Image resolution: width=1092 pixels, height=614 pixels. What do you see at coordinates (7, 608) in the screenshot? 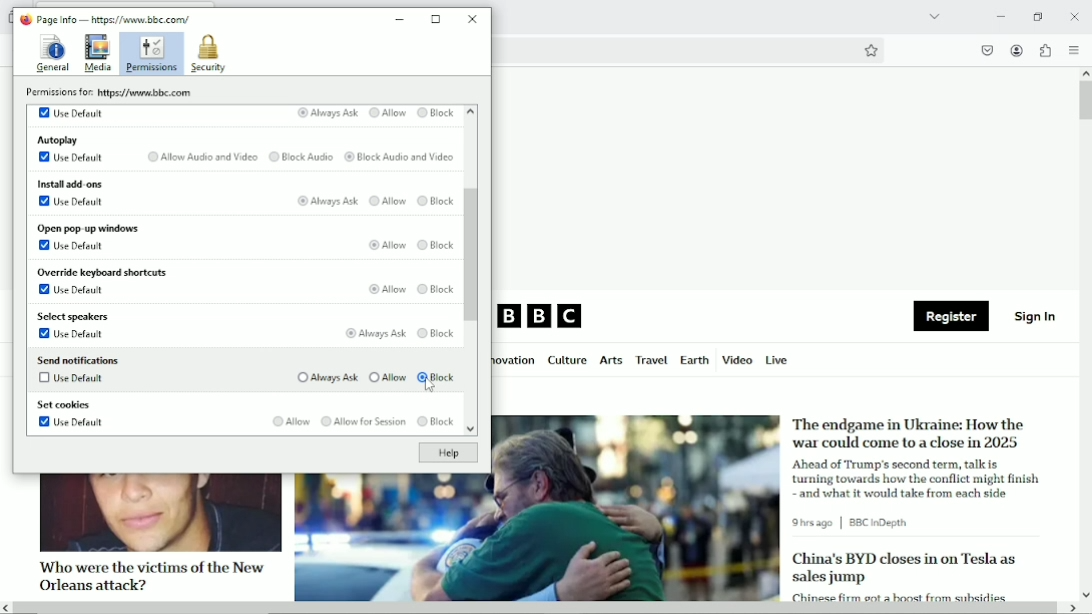
I see `scroll left` at bounding box center [7, 608].